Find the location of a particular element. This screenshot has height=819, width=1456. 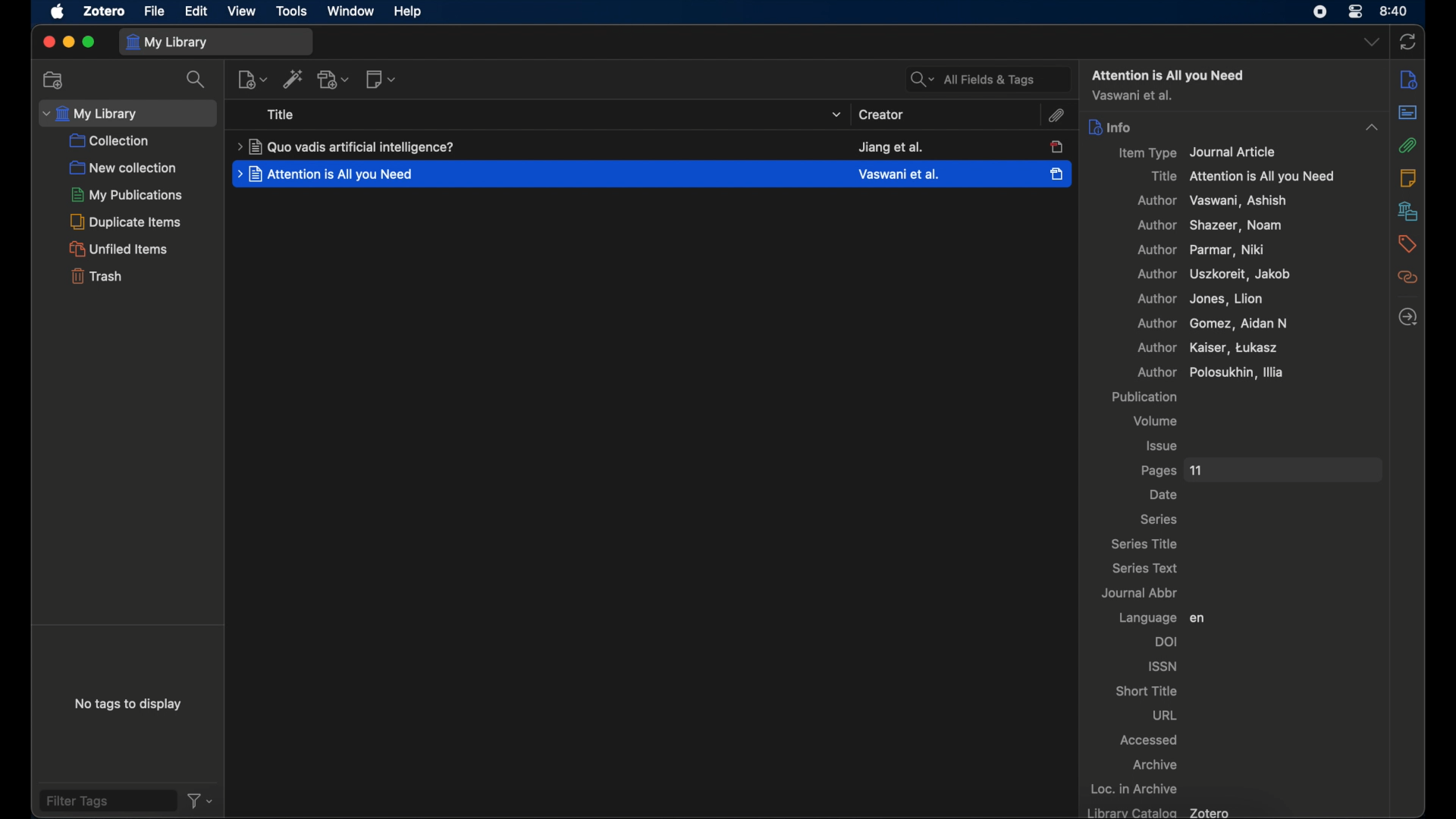

attachment is located at coordinates (1408, 144).